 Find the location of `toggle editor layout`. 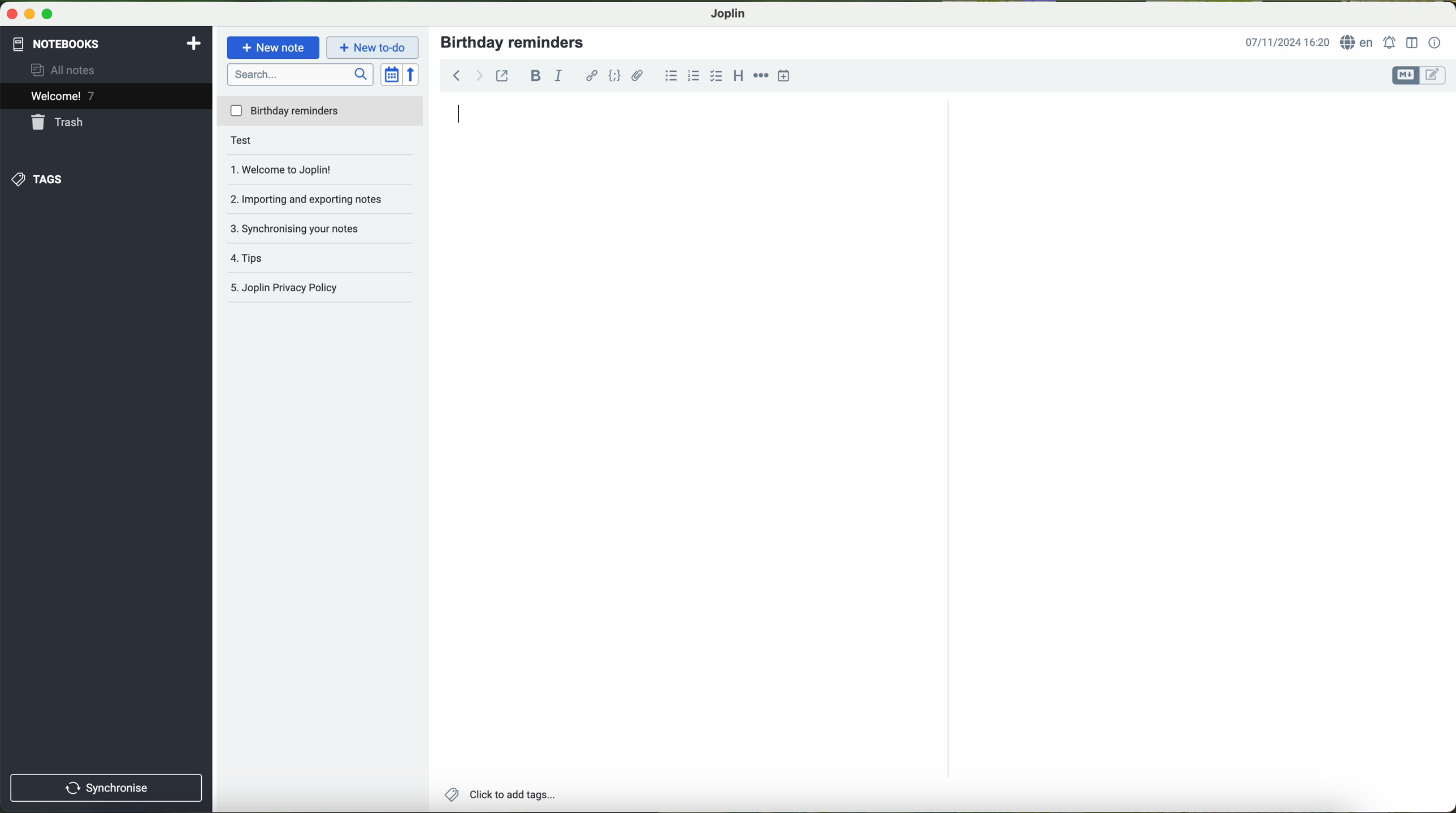

toggle editor layout is located at coordinates (1411, 44).